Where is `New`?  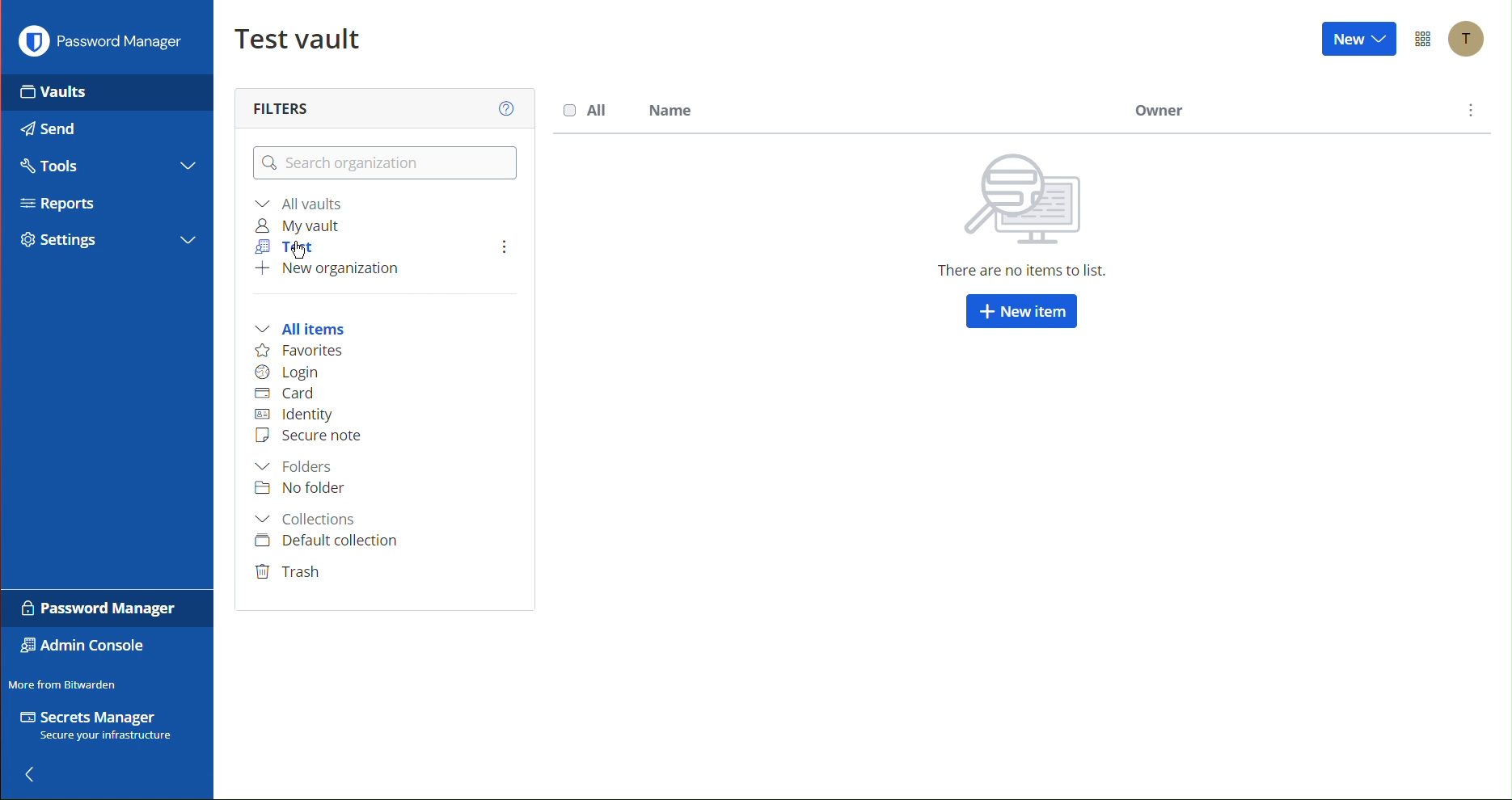
New is located at coordinates (1359, 41).